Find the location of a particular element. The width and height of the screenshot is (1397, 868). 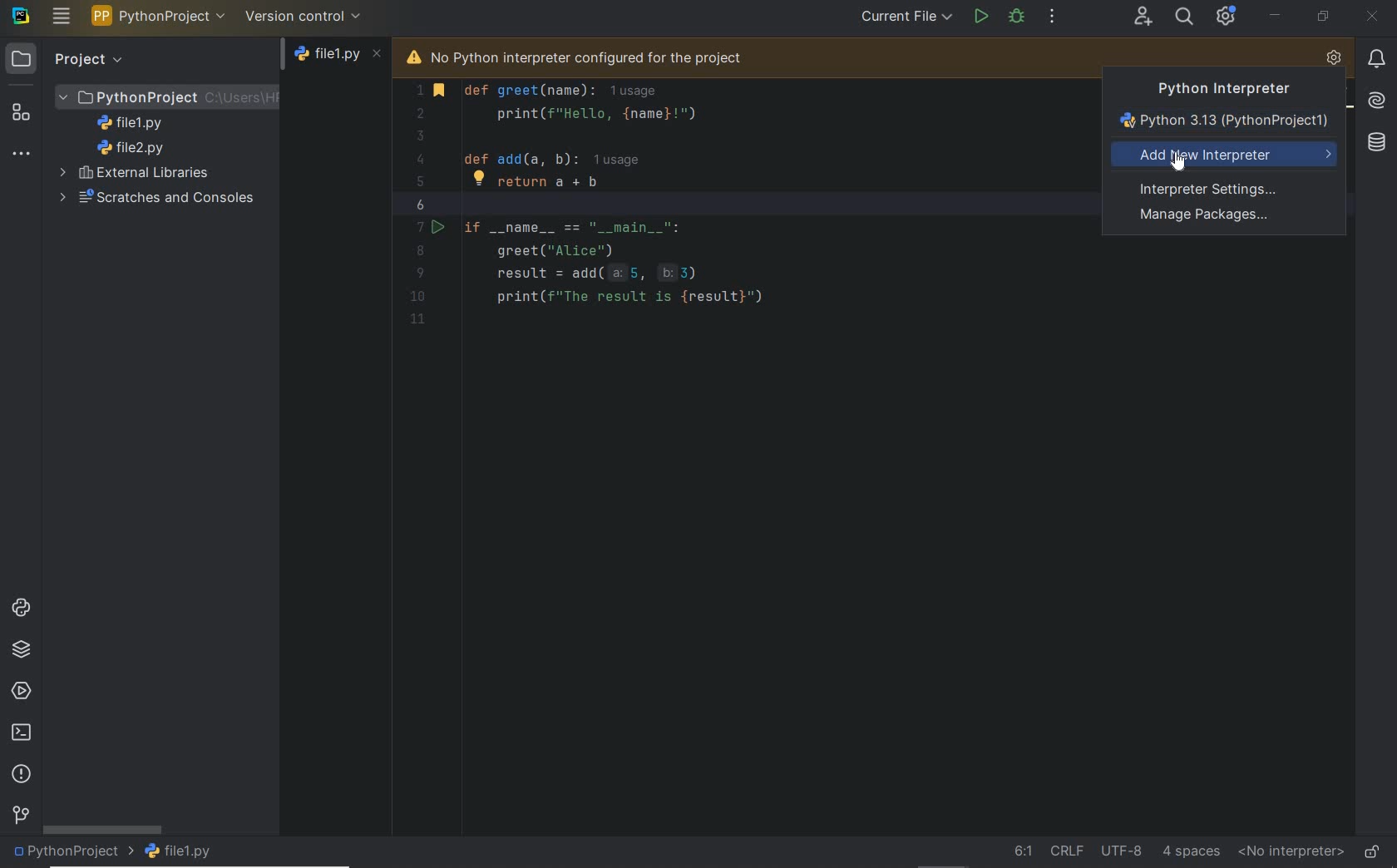

current file is located at coordinates (906, 17).